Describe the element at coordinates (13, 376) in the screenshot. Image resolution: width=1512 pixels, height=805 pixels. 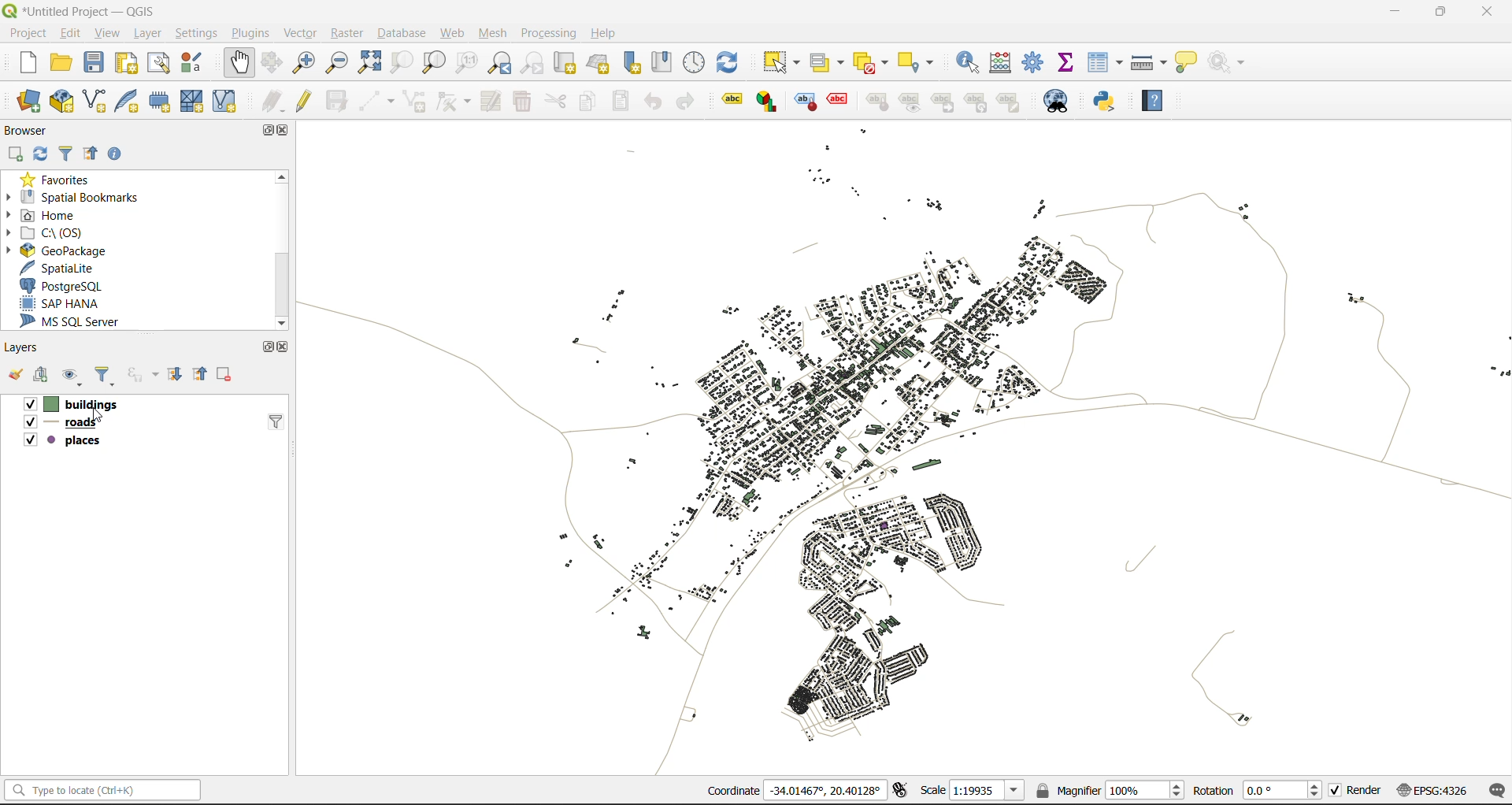
I see `open` at that location.